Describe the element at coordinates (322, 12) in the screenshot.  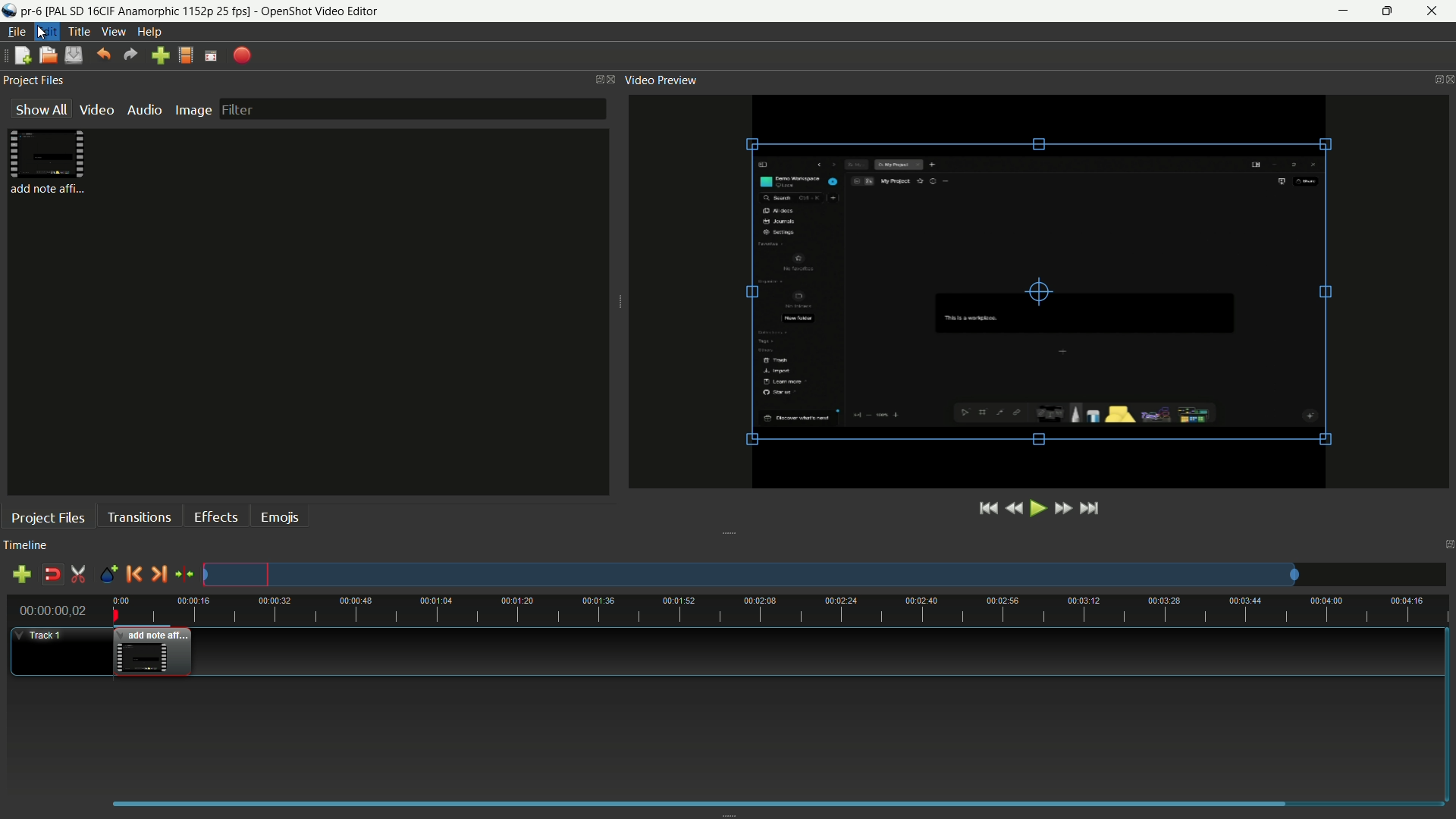
I see `app name` at that location.